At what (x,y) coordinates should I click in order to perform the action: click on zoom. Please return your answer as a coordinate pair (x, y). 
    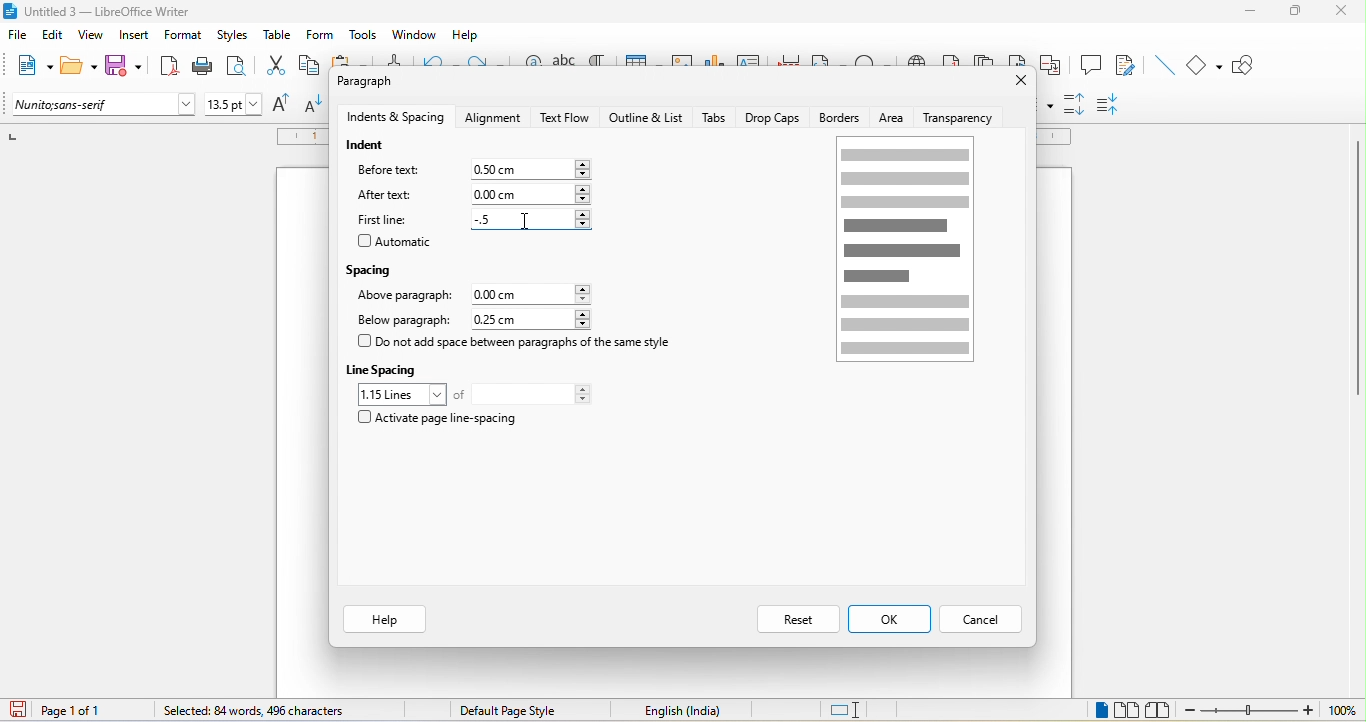
    Looking at the image, I should click on (1250, 712).